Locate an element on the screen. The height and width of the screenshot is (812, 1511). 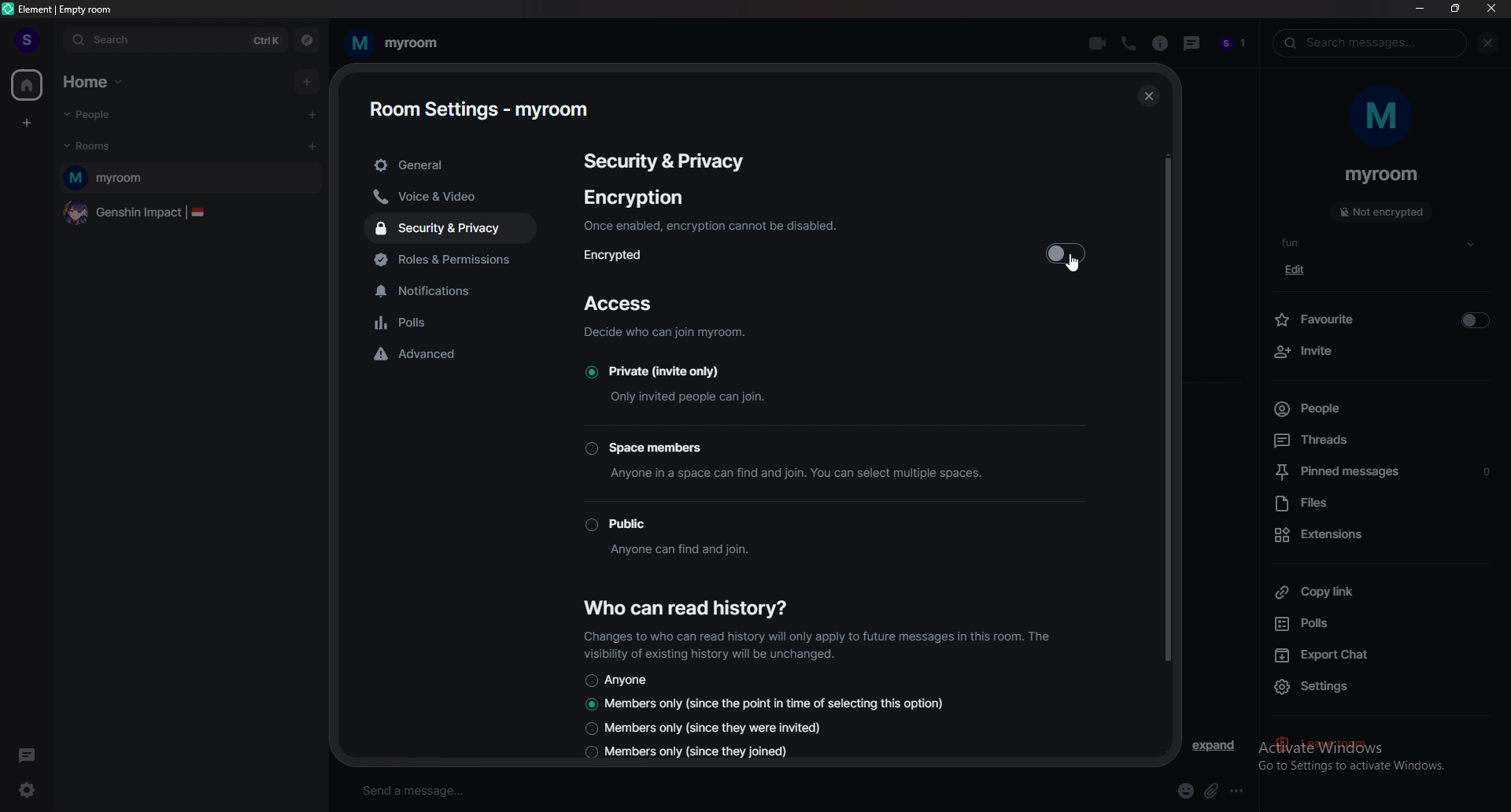
invite is located at coordinates (1384, 352).